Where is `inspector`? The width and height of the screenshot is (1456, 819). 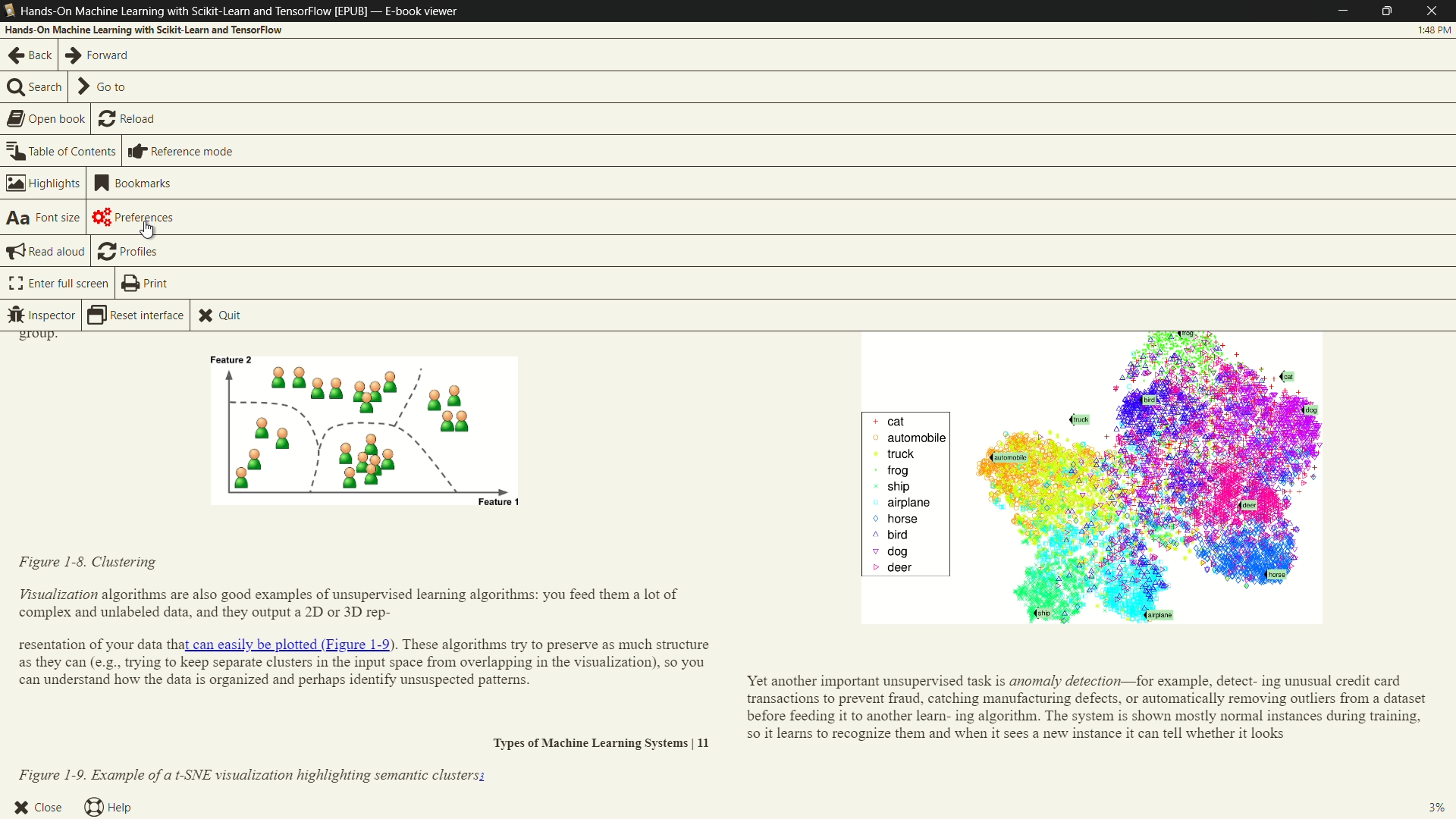 inspector is located at coordinates (42, 315).